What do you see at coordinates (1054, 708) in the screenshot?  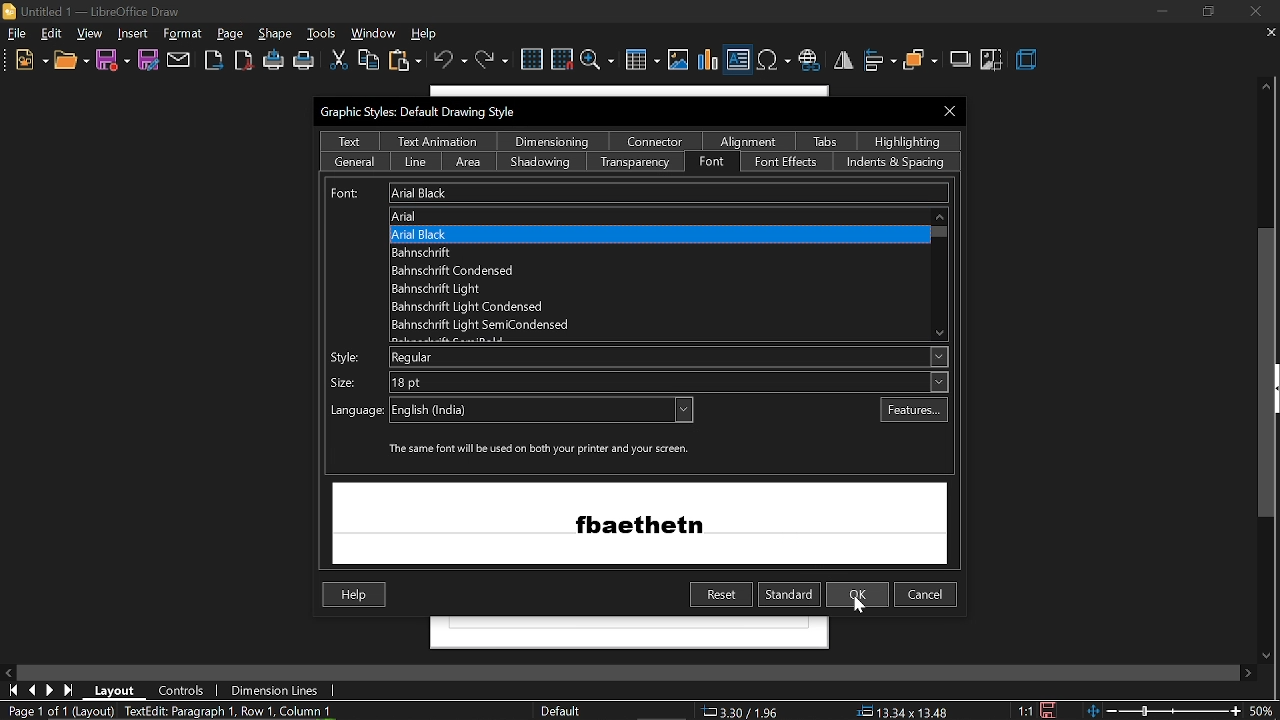 I see `save` at bounding box center [1054, 708].